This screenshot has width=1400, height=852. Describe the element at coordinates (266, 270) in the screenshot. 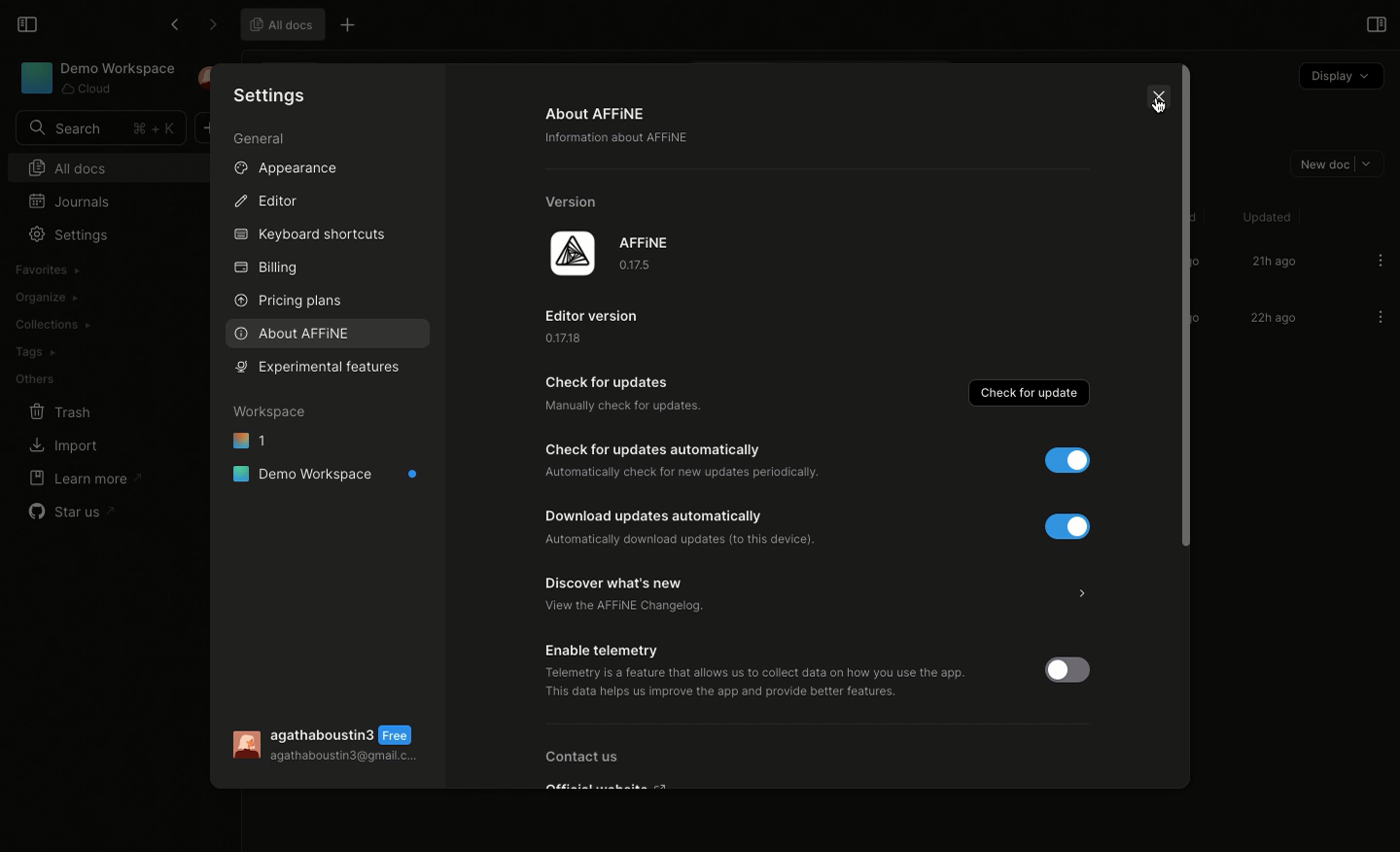

I see `Billing` at that location.